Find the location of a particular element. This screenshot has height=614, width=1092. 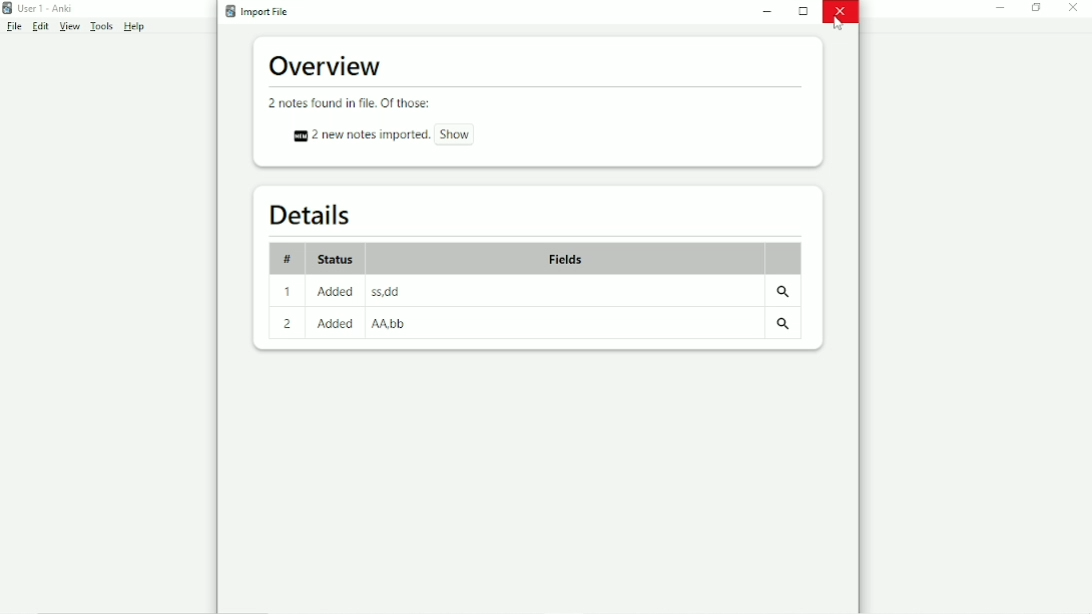

ss,dd is located at coordinates (387, 291).